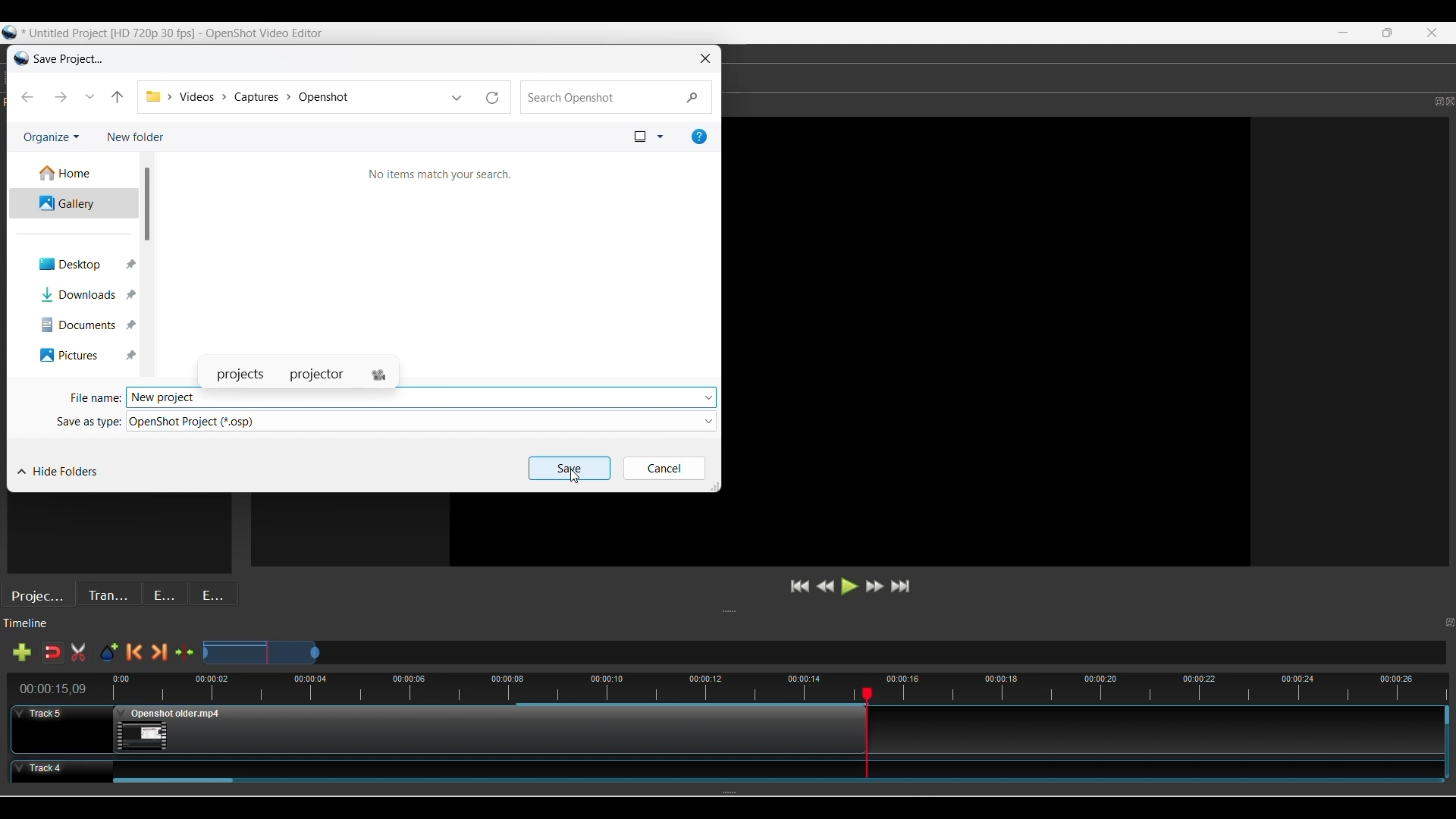 This screenshot has width=1456, height=819. Describe the element at coordinates (51, 137) in the screenshot. I see `Organize current folder` at that location.